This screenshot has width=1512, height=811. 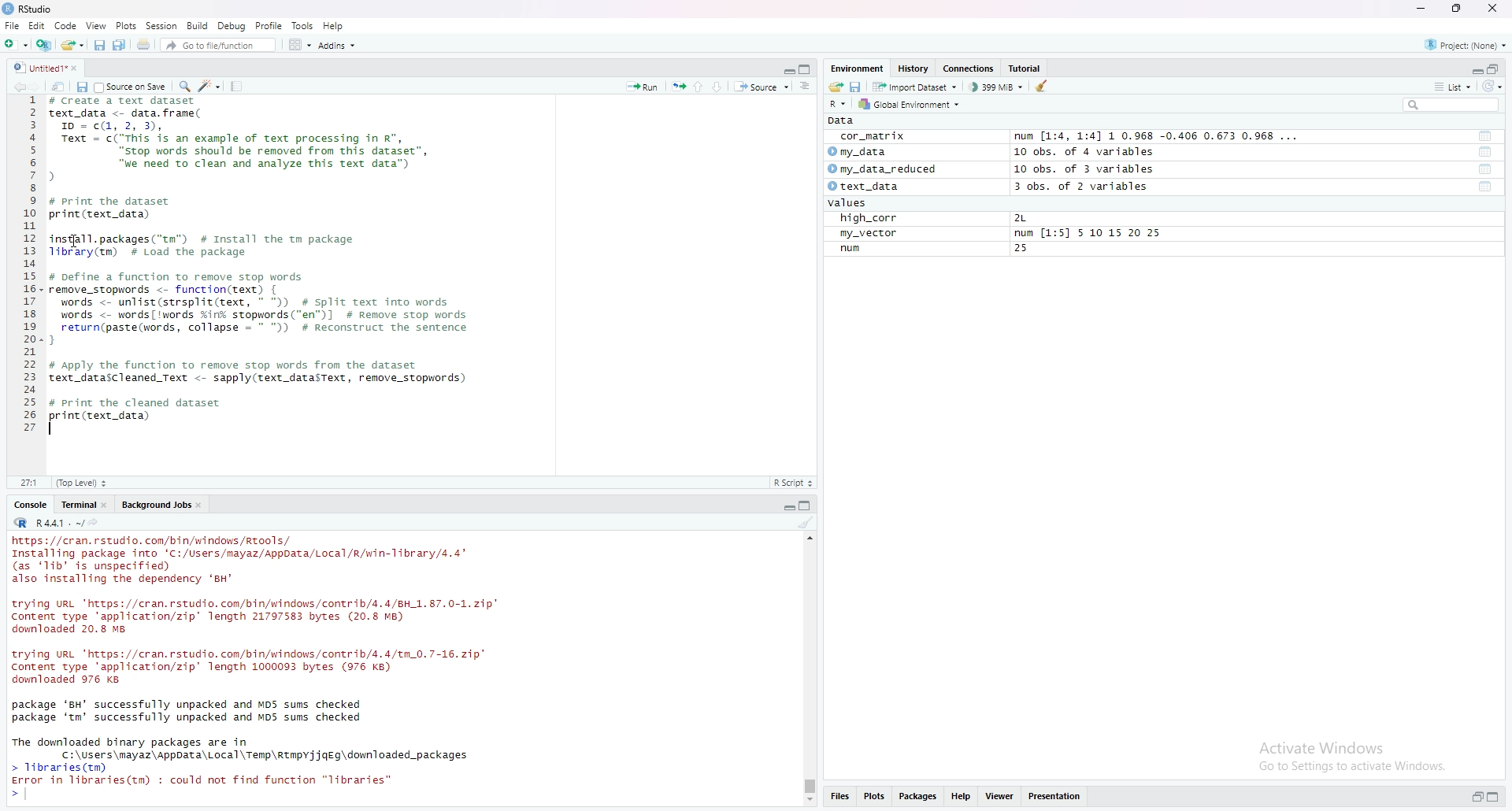 What do you see at coordinates (35, 25) in the screenshot?
I see `Edit` at bounding box center [35, 25].